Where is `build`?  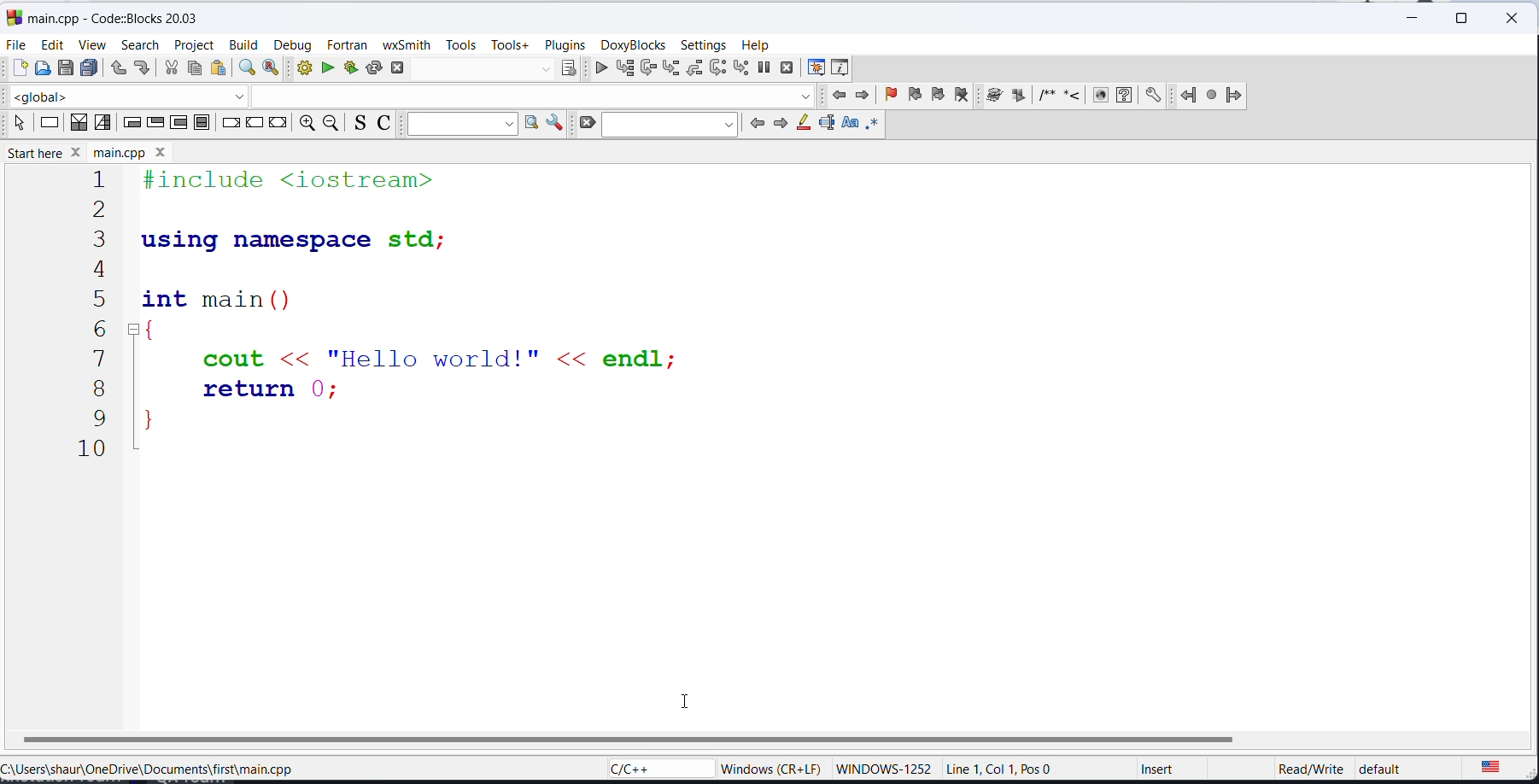
build is located at coordinates (241, 45).